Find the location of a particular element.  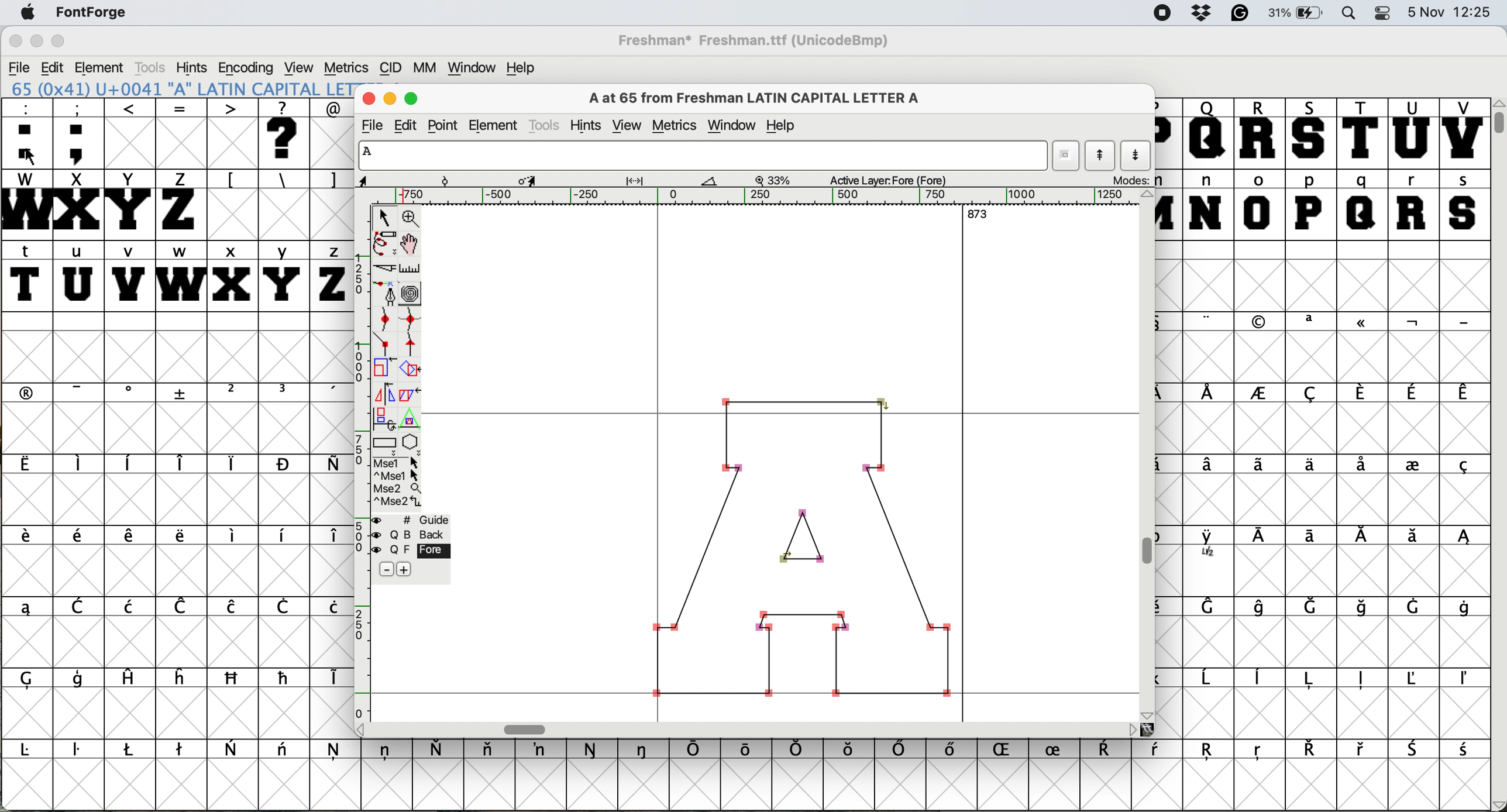

fore is located at coordinates (412, 552).